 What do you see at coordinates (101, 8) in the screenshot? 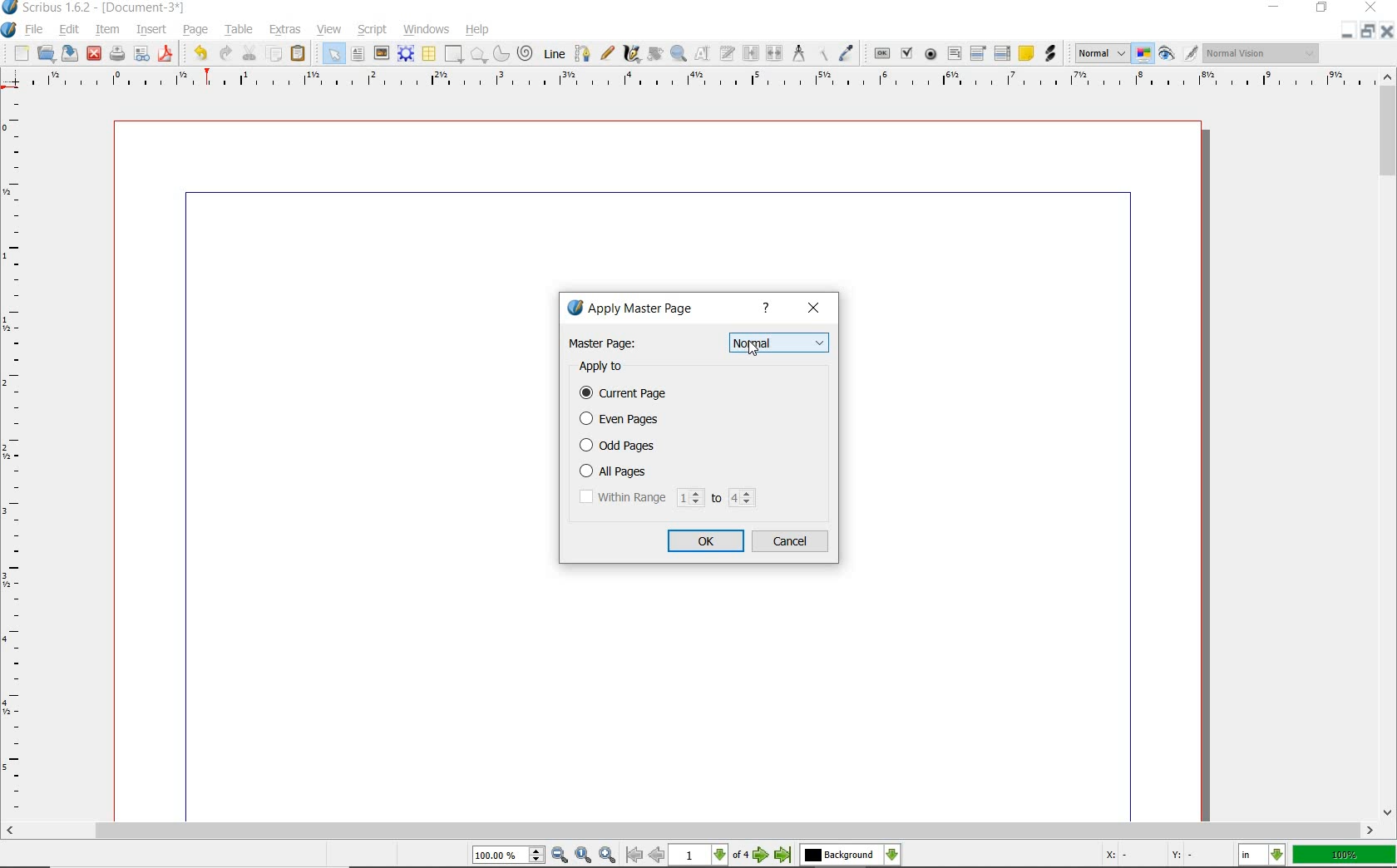
I see `Scribus 1.62 - [Document-3*]` at bounding box center [101, 8].